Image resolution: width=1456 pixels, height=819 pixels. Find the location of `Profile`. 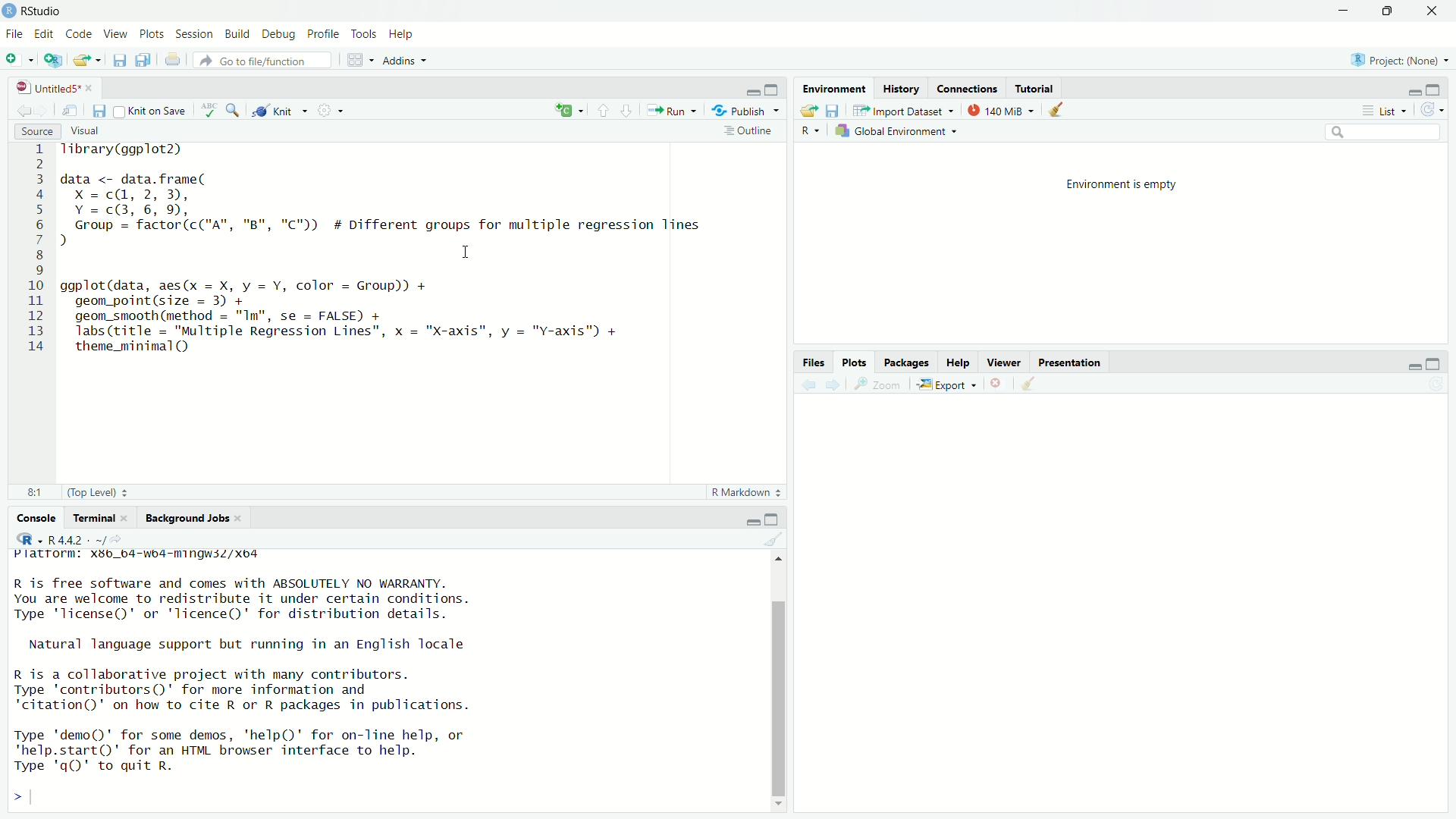

Profile is located at coordinates (323, 35).